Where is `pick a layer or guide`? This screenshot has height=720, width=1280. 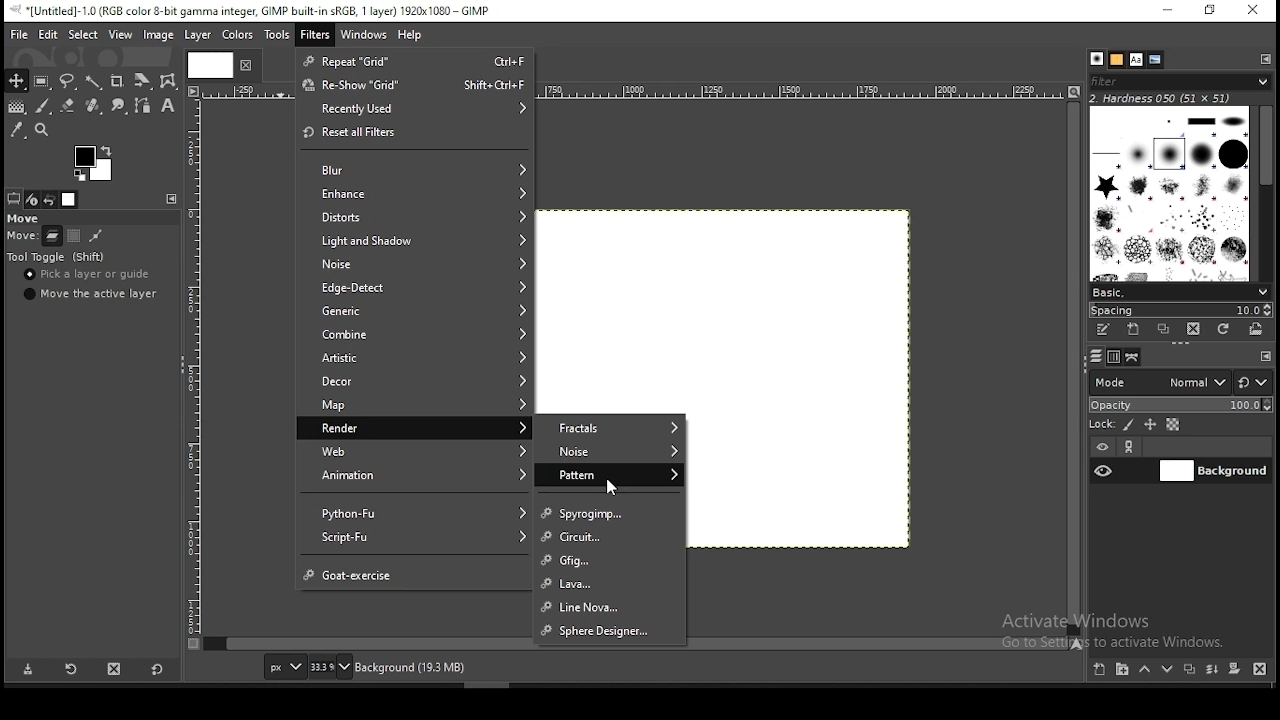
pick a layer or guide is located at coordinates (87, 275).